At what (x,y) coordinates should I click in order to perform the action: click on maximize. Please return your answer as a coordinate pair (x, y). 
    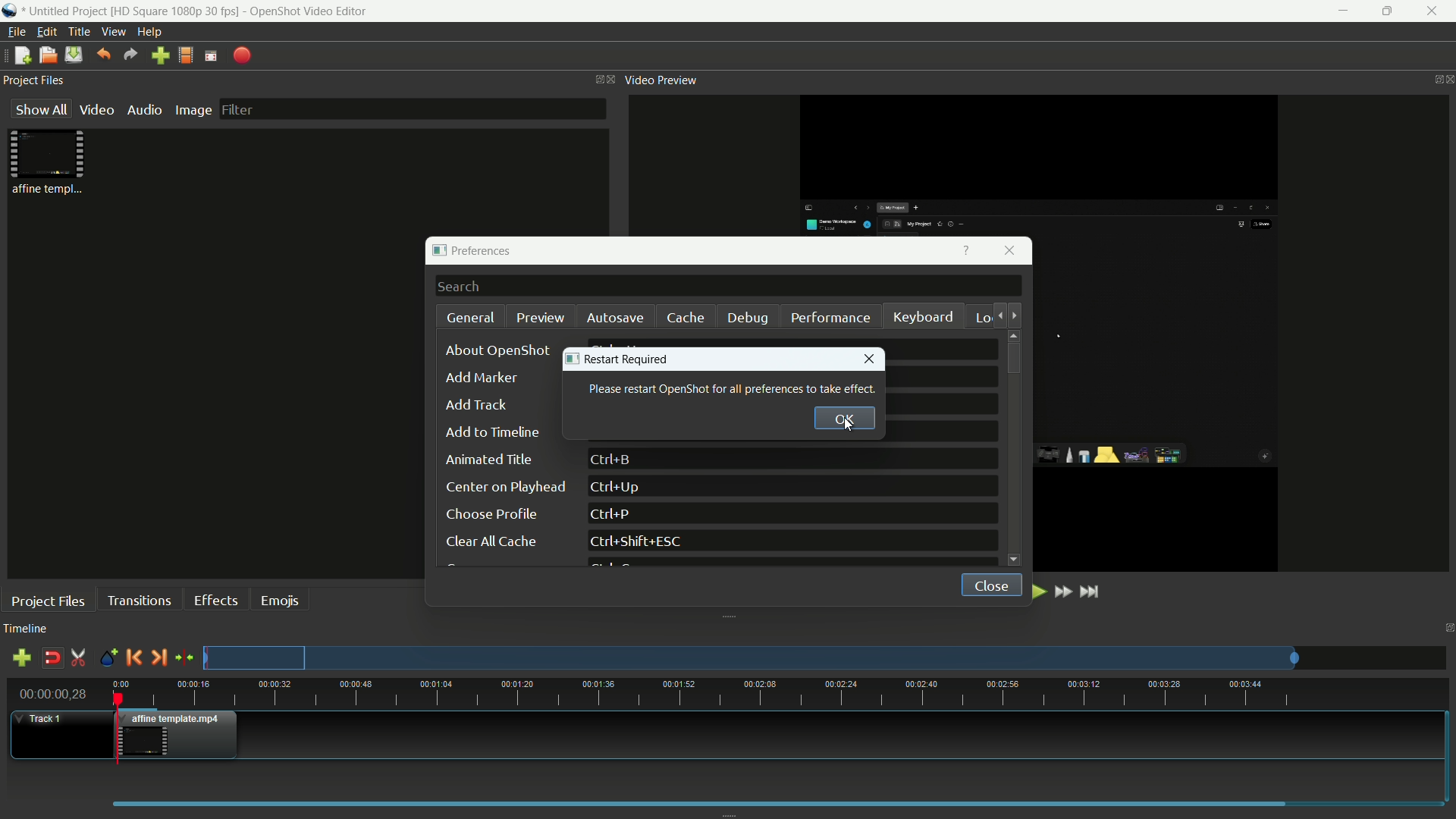
    Looking at the image, I should click on (1387, 11).